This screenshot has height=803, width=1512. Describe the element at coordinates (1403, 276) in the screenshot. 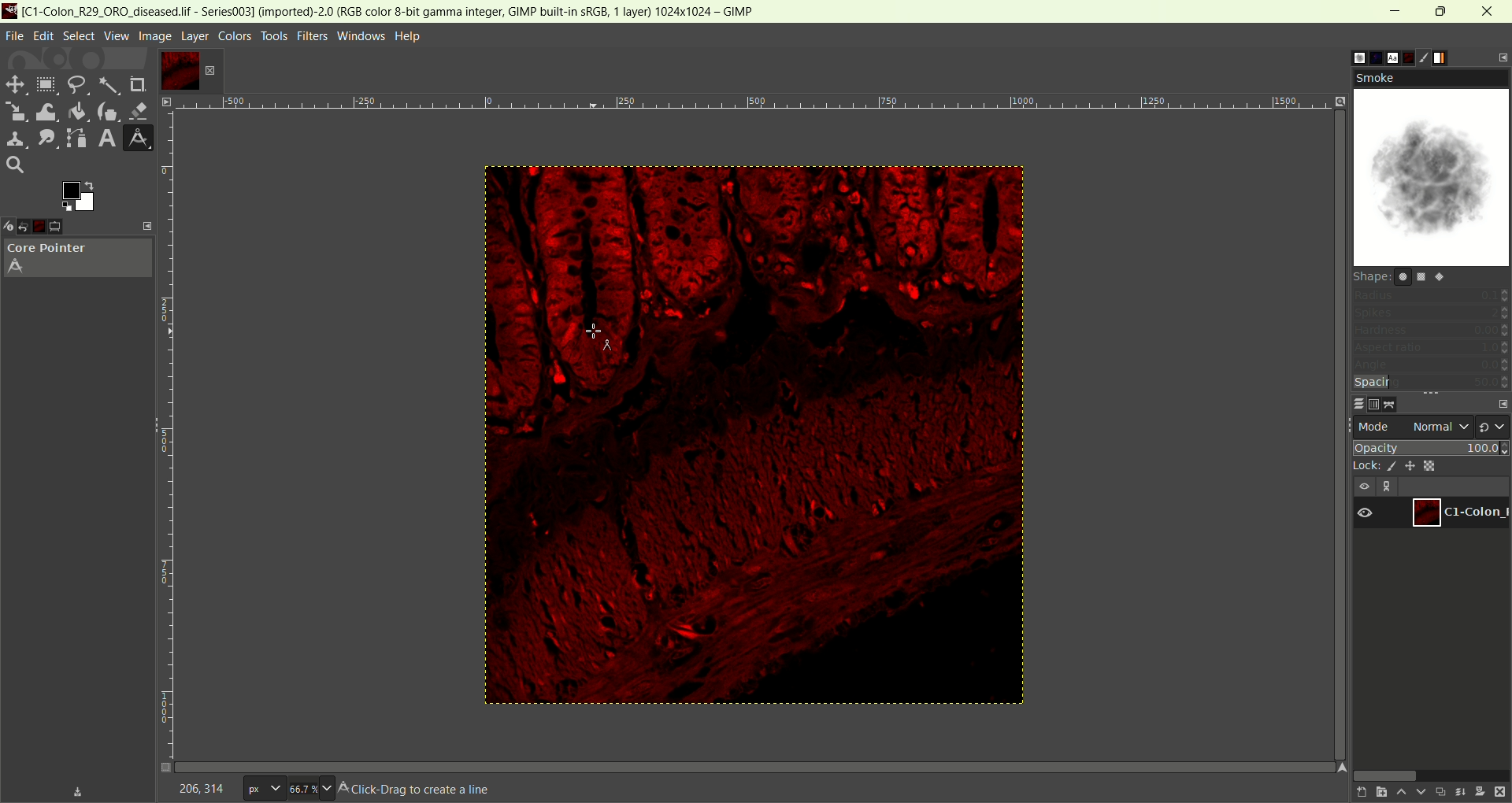

I see `shape` at that location.